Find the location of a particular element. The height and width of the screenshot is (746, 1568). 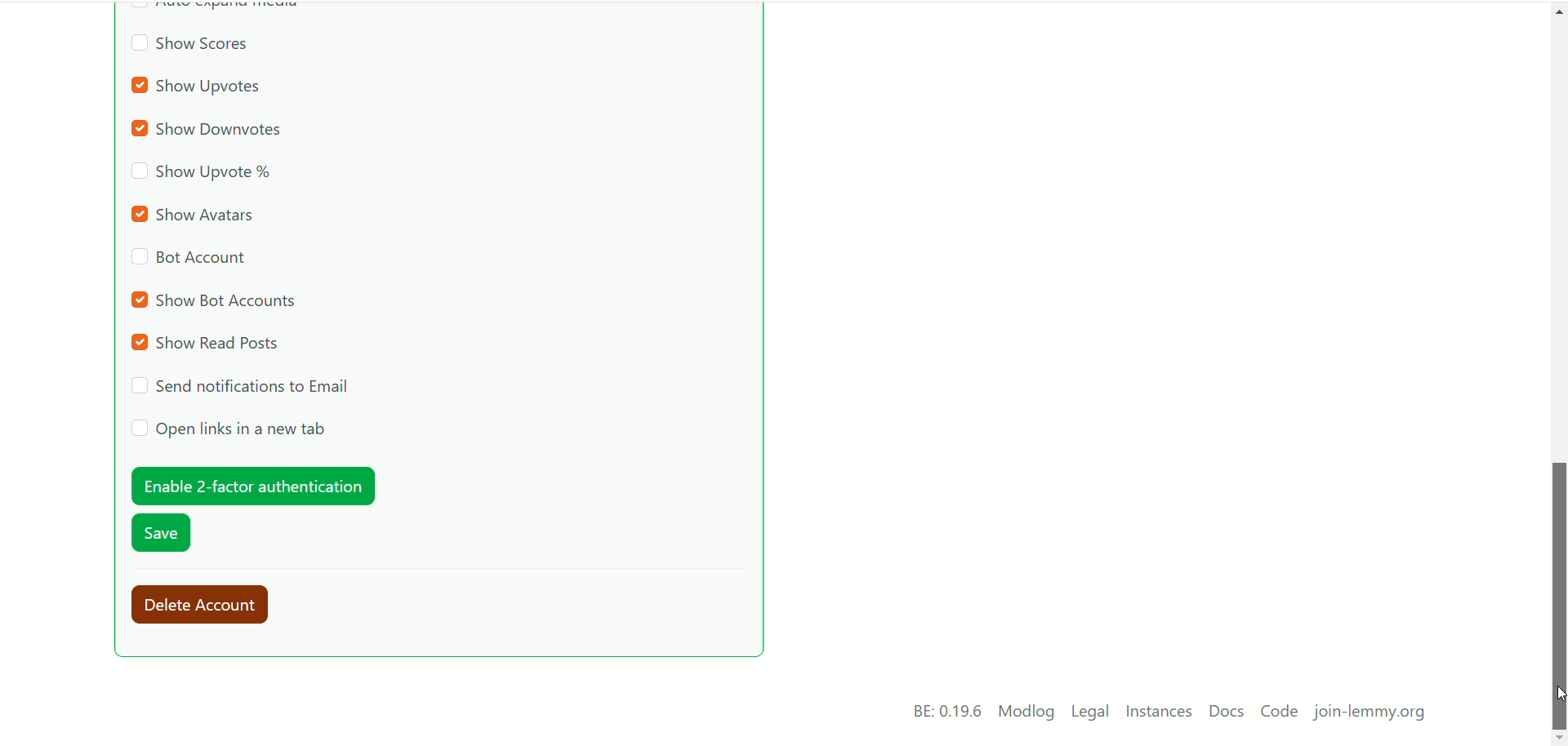

delete account is located at coordinates (207, 606).